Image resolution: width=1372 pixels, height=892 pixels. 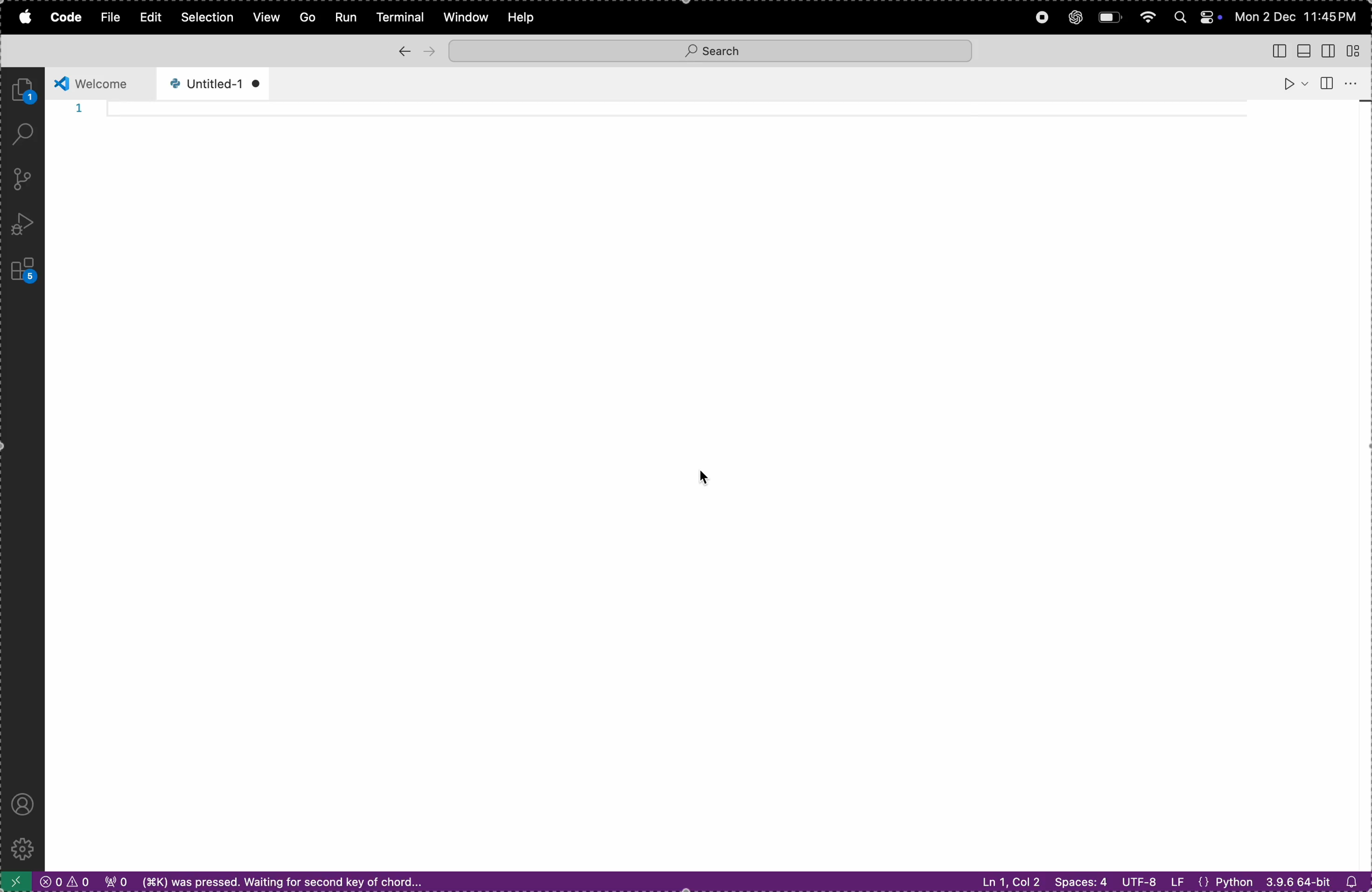 What do you see at coordinates (400, 17) in the screenshot?
I see `terminal` at bounding box center [400, 17].